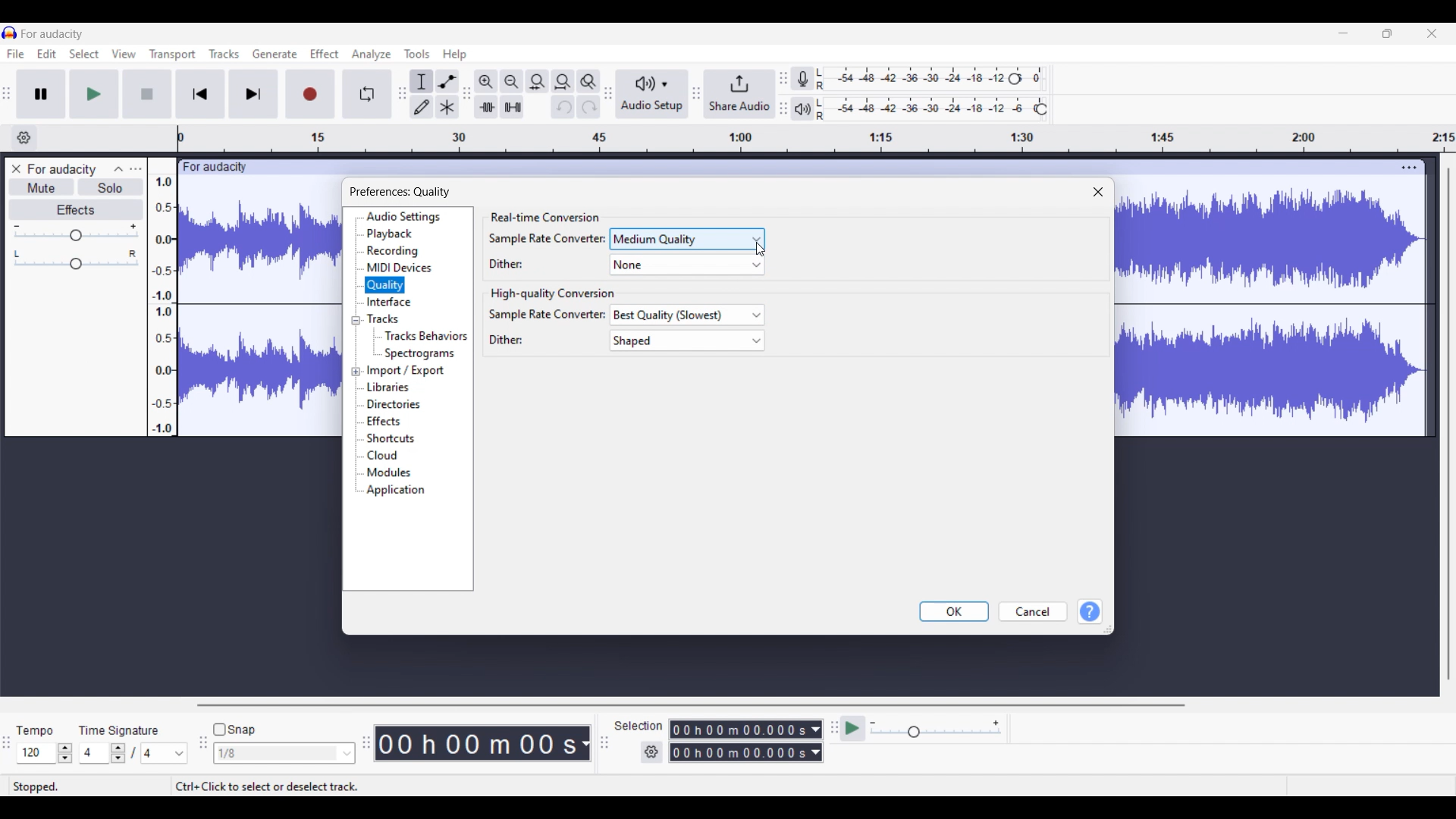 This screenshot has width=1456, height=819. Describe the element at coordinates (36, 753) in the screenshot. I see `Input tempo` at that location.